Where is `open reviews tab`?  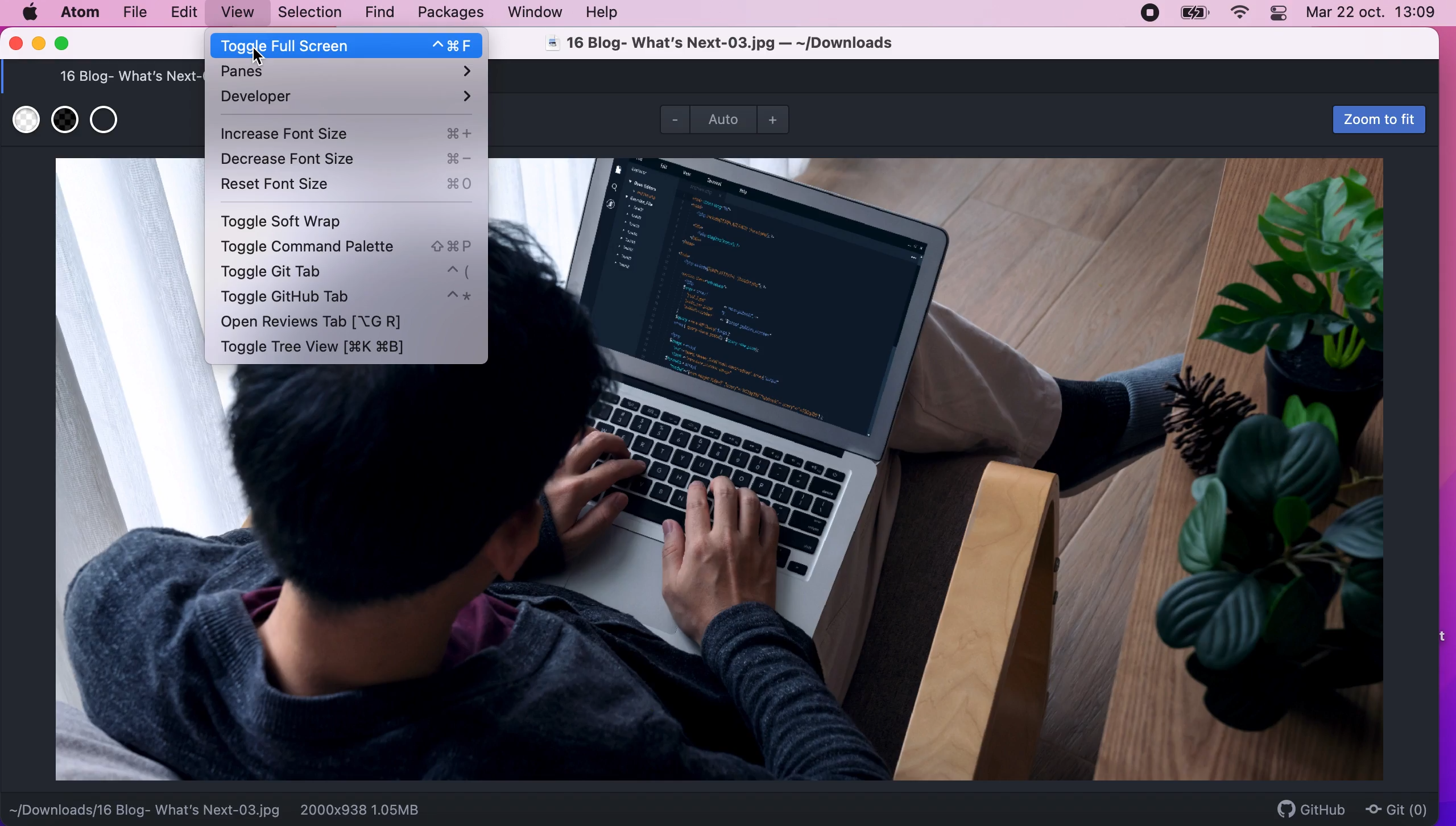
open reviews tab is located at coordinates (334, 321).